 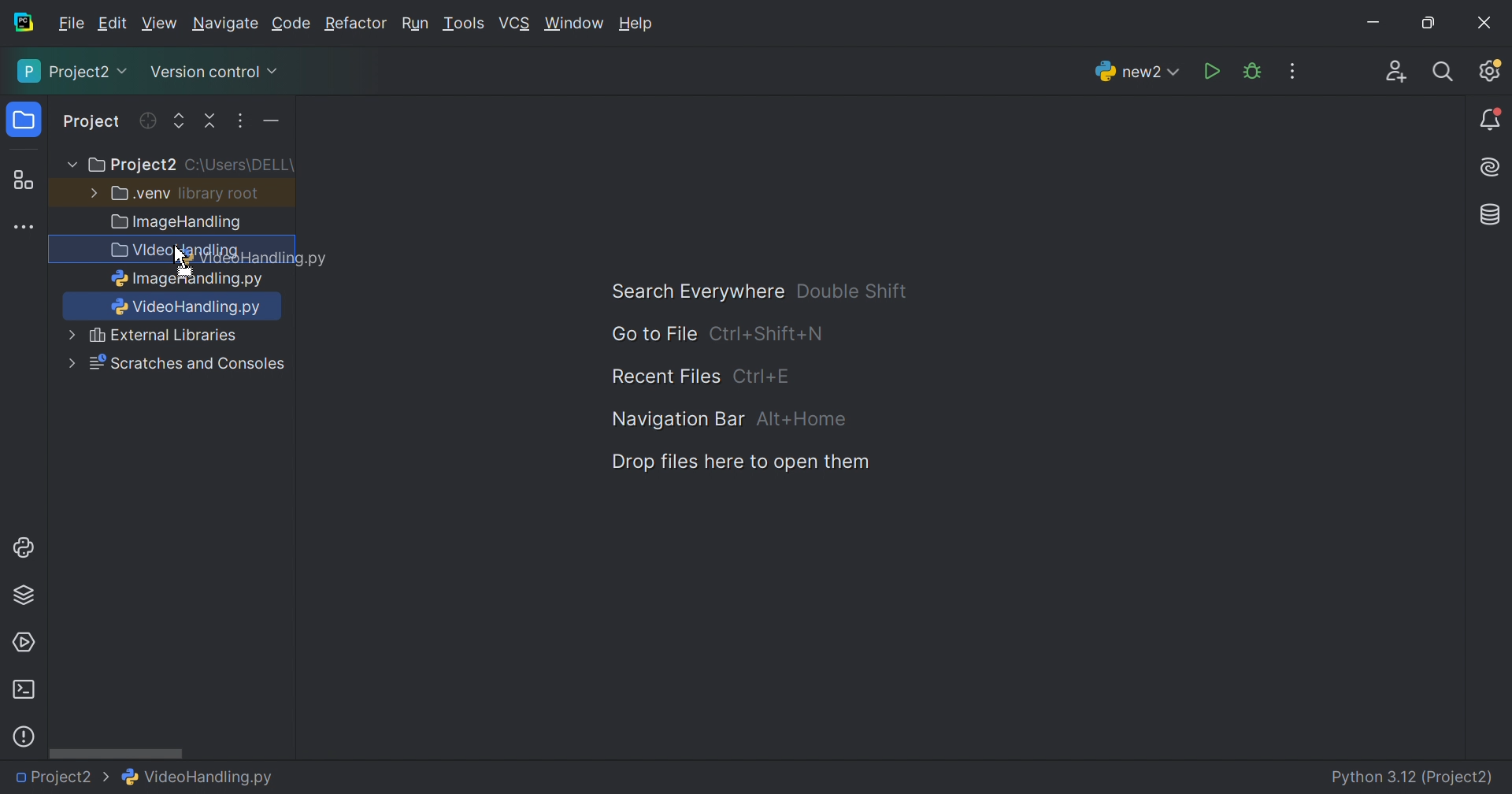 What do you see at coordinates (180, 122) in the screenshot?
I see `Expand all` at bounding box center [180, 122].